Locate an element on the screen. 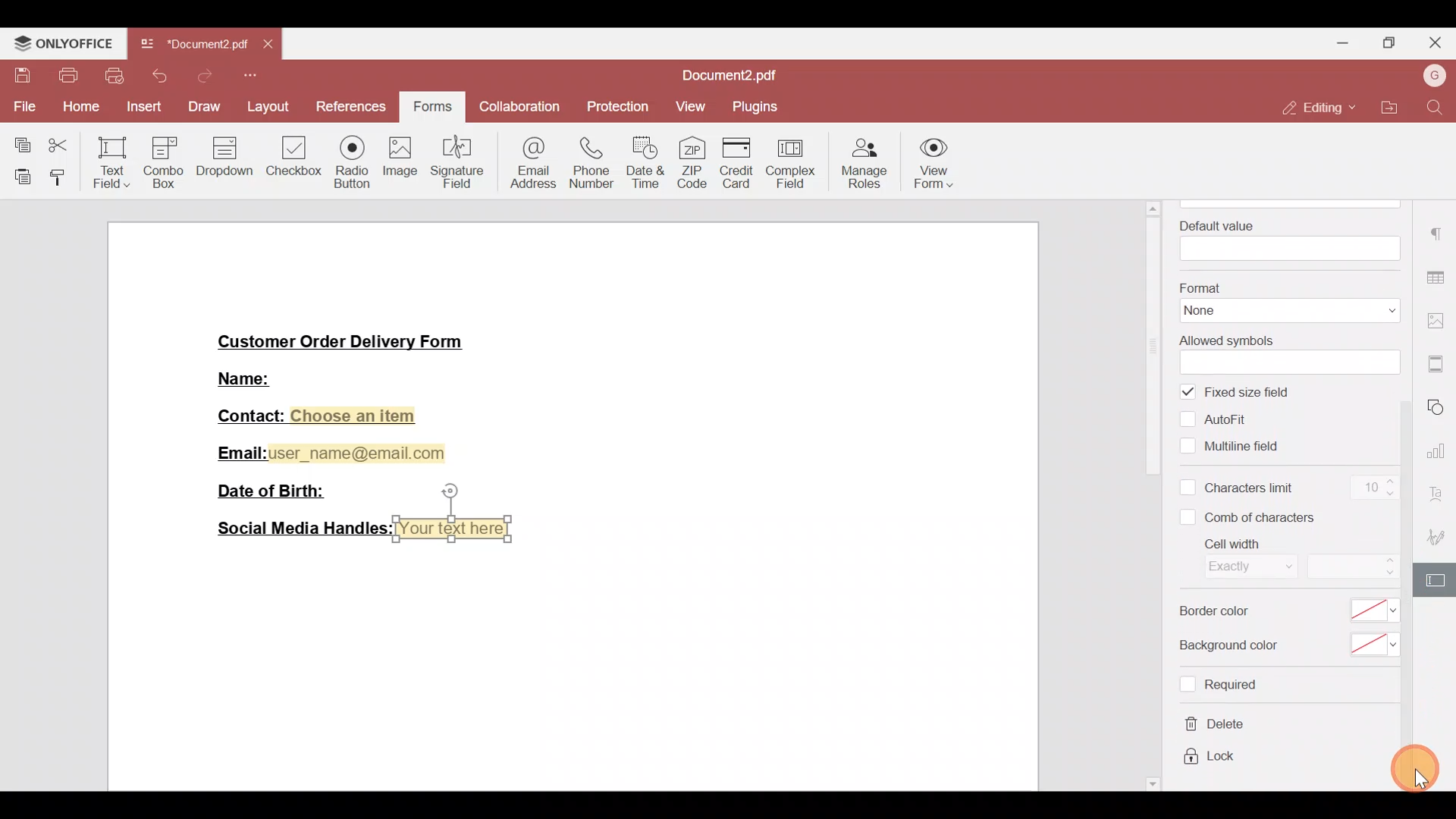 This screenshot has height=819, width=1456. Radio button is located at coordinates (347, 159).